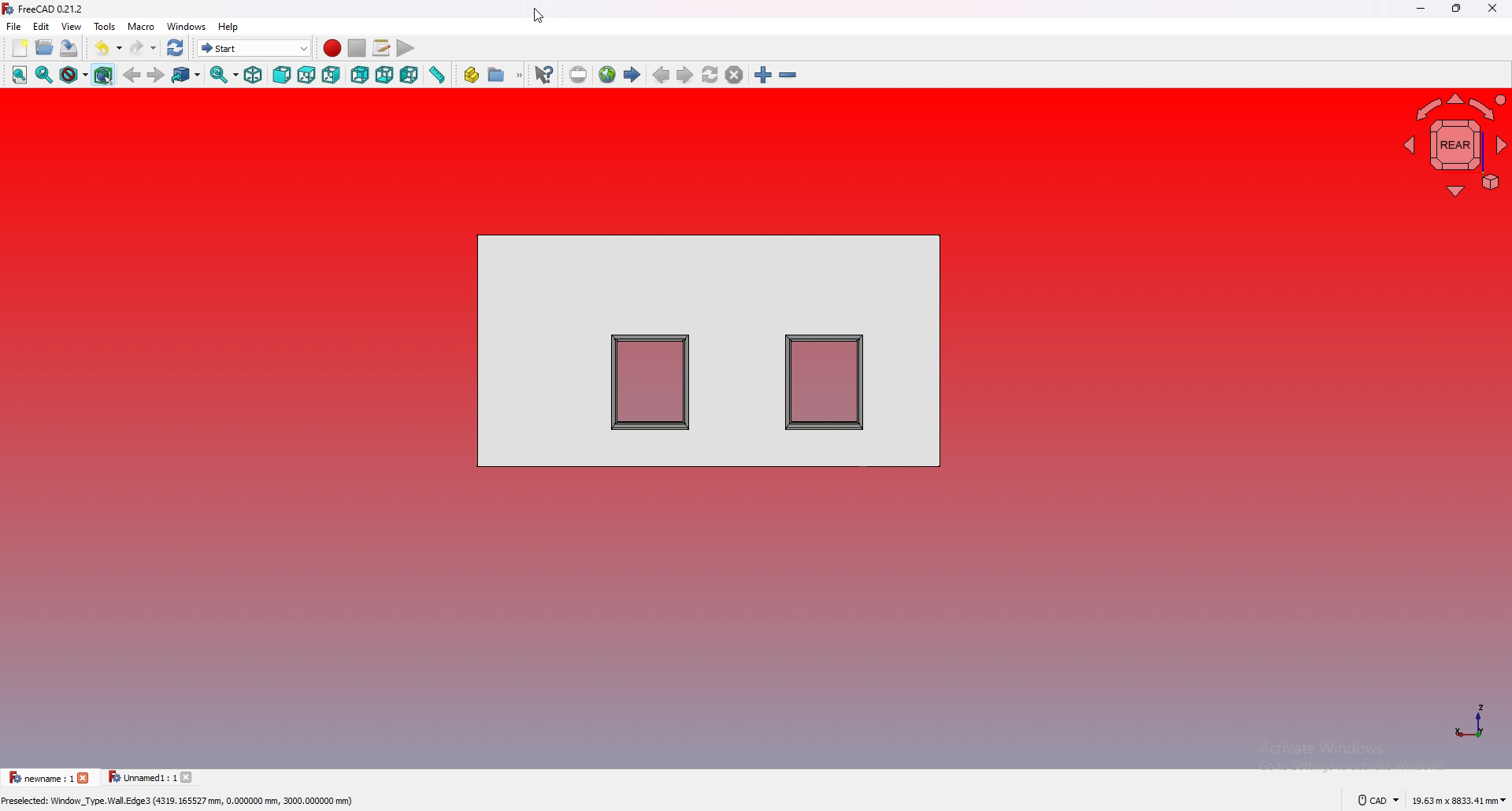  Describe the element at coordinates (175, 48) in the screenshot. I see `refresh` at that location.